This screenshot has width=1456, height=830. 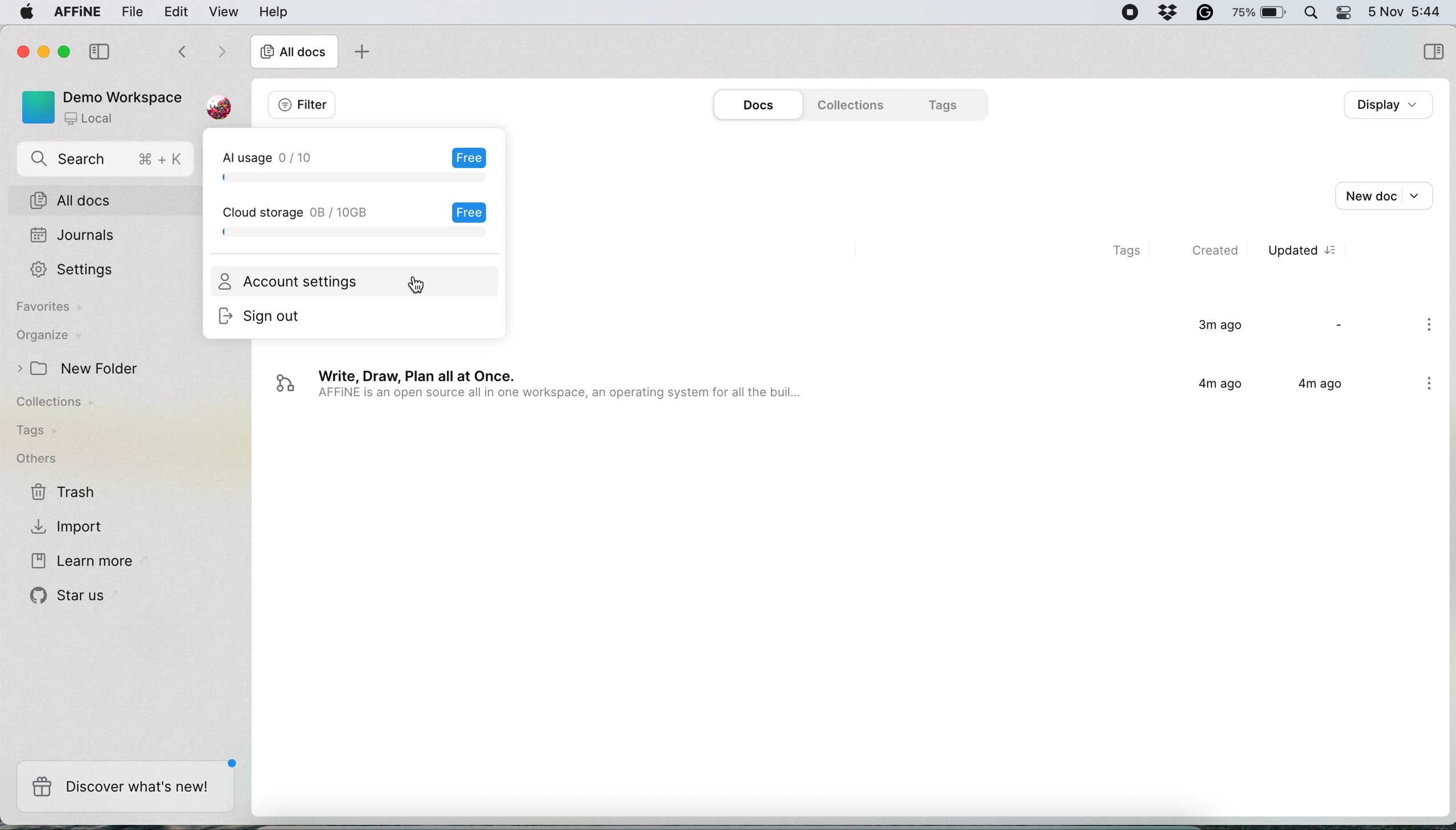 What do you see at coordinates (48, 337) in the screenshot?
I see `organize` at bounding box center [48, 337].